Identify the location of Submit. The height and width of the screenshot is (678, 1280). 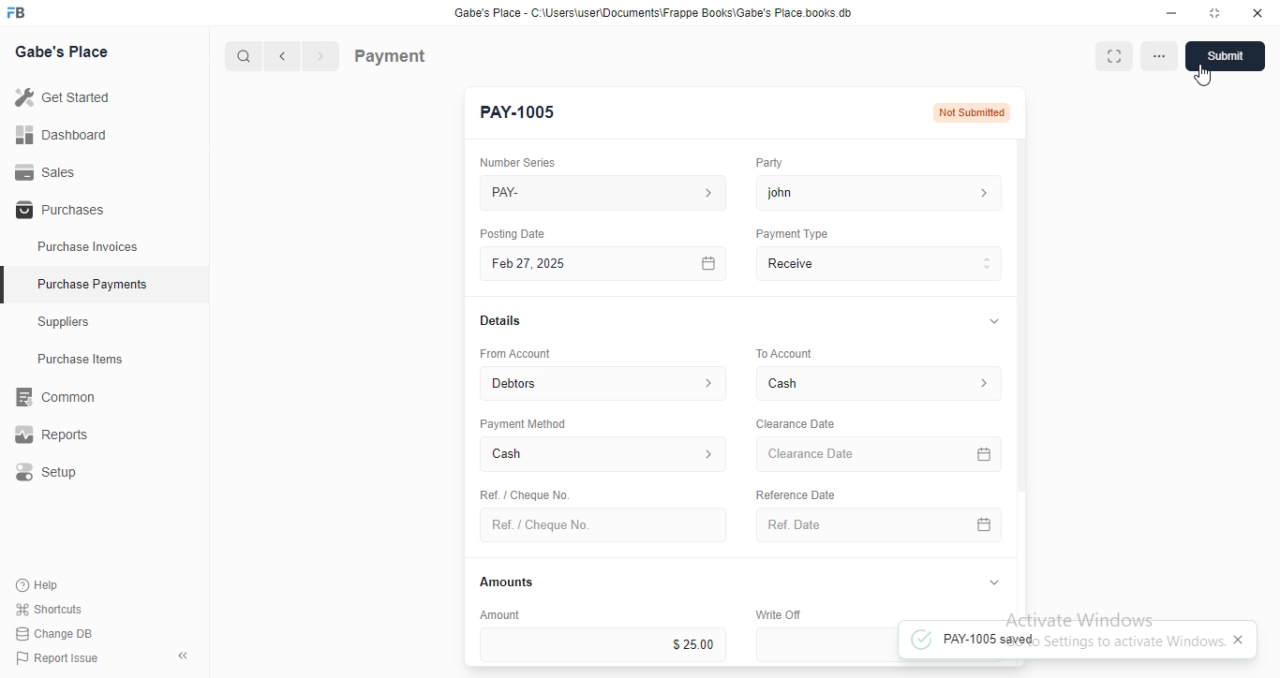
(1225, 56).